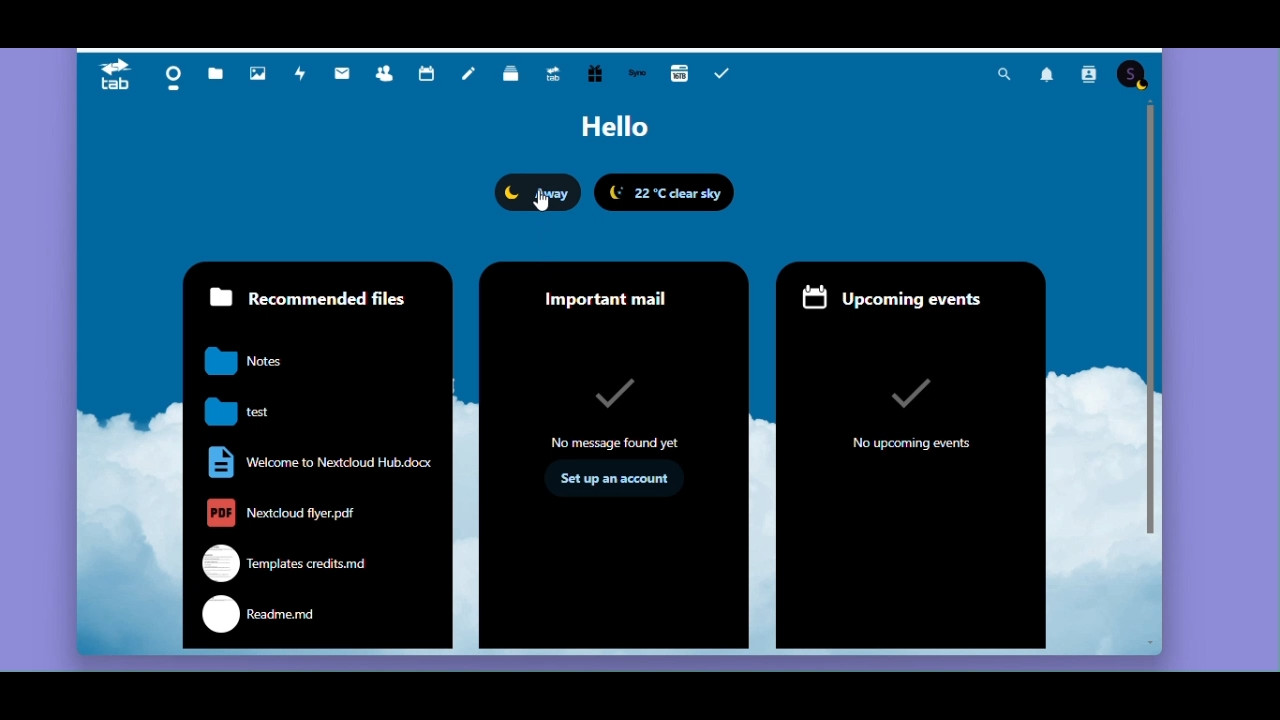 The height and width of the screenshot is (720, 1280). Describe the element at coordinates (111, 80) in the screenshot. I see `` at that location.